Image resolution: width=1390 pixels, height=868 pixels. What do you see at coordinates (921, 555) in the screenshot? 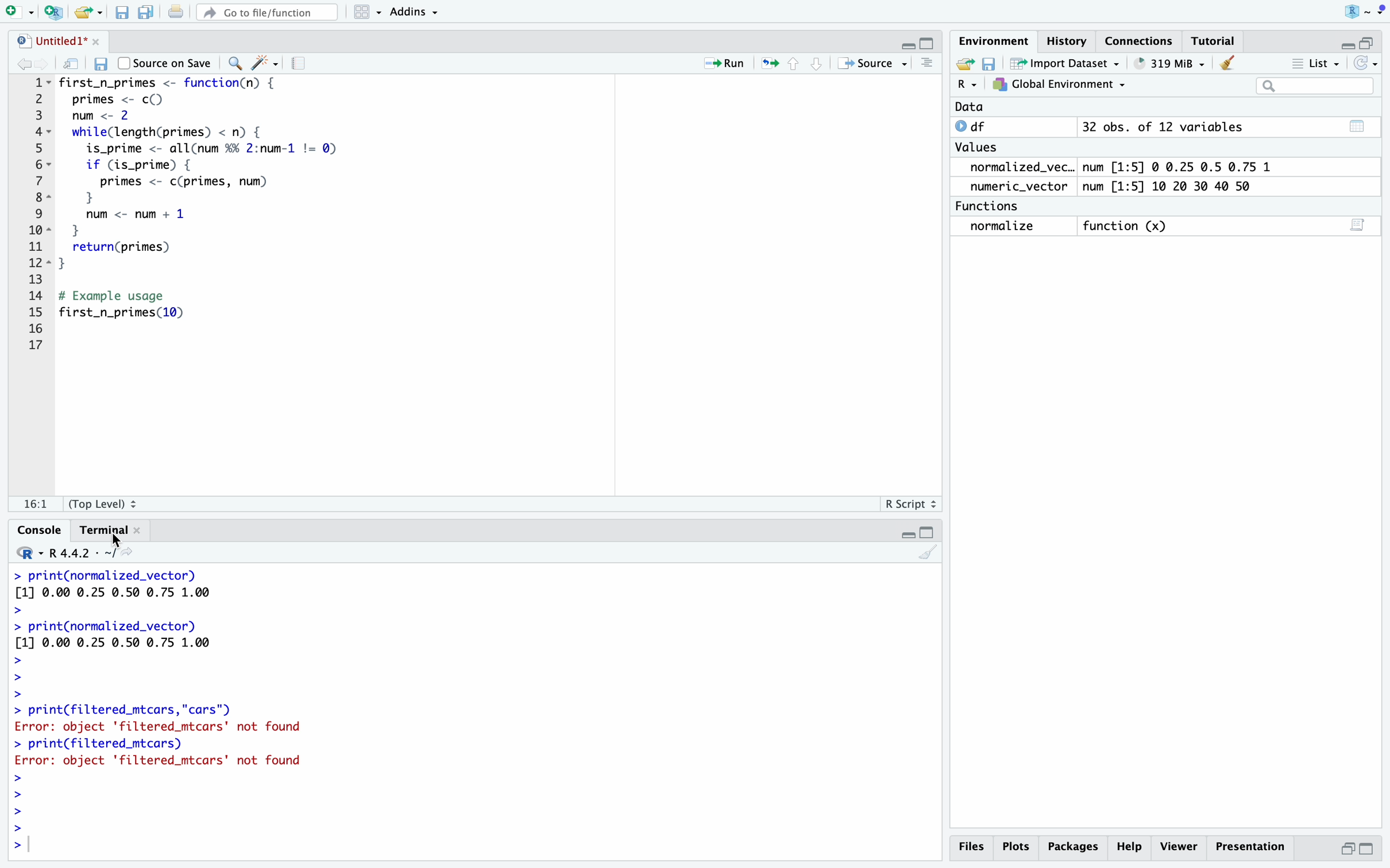
I see `clear console` at bounding box center [921, 555].